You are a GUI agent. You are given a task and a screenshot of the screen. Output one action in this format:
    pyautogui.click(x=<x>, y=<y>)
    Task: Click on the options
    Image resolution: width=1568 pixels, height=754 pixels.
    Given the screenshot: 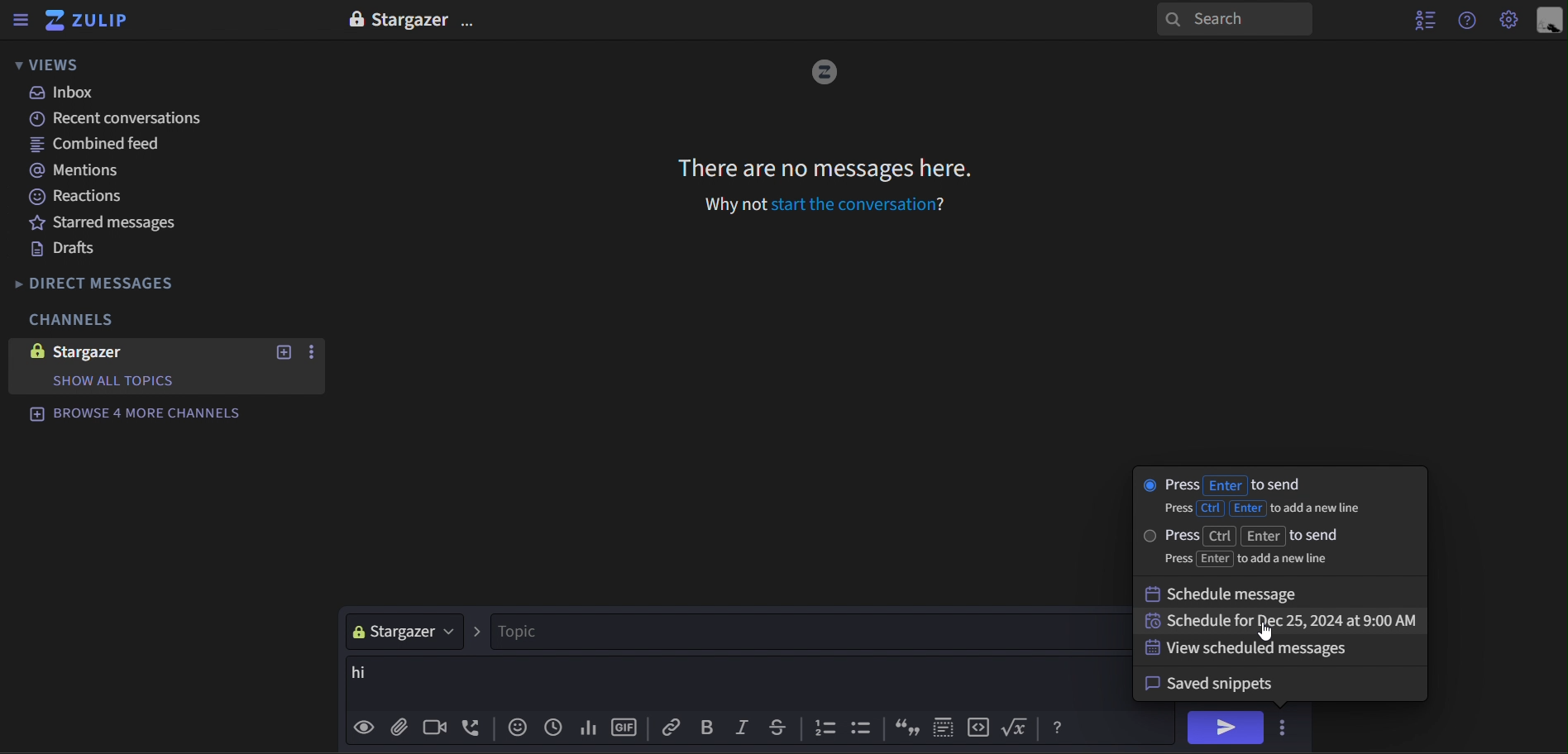 What is the action you would take?
    pyautogui.click(x=1293, y=728)
    